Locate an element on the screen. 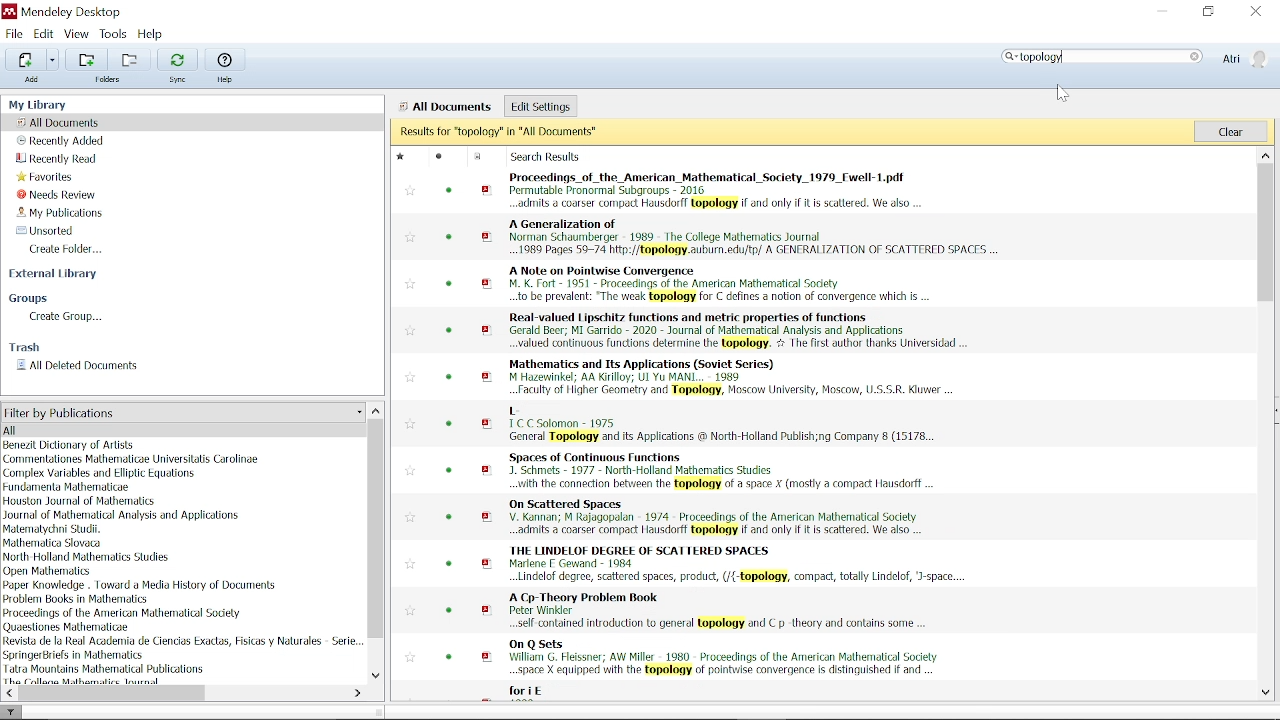 The height and width of the screenshot is (720, 1280). folders is located at coordinates (113, 82).